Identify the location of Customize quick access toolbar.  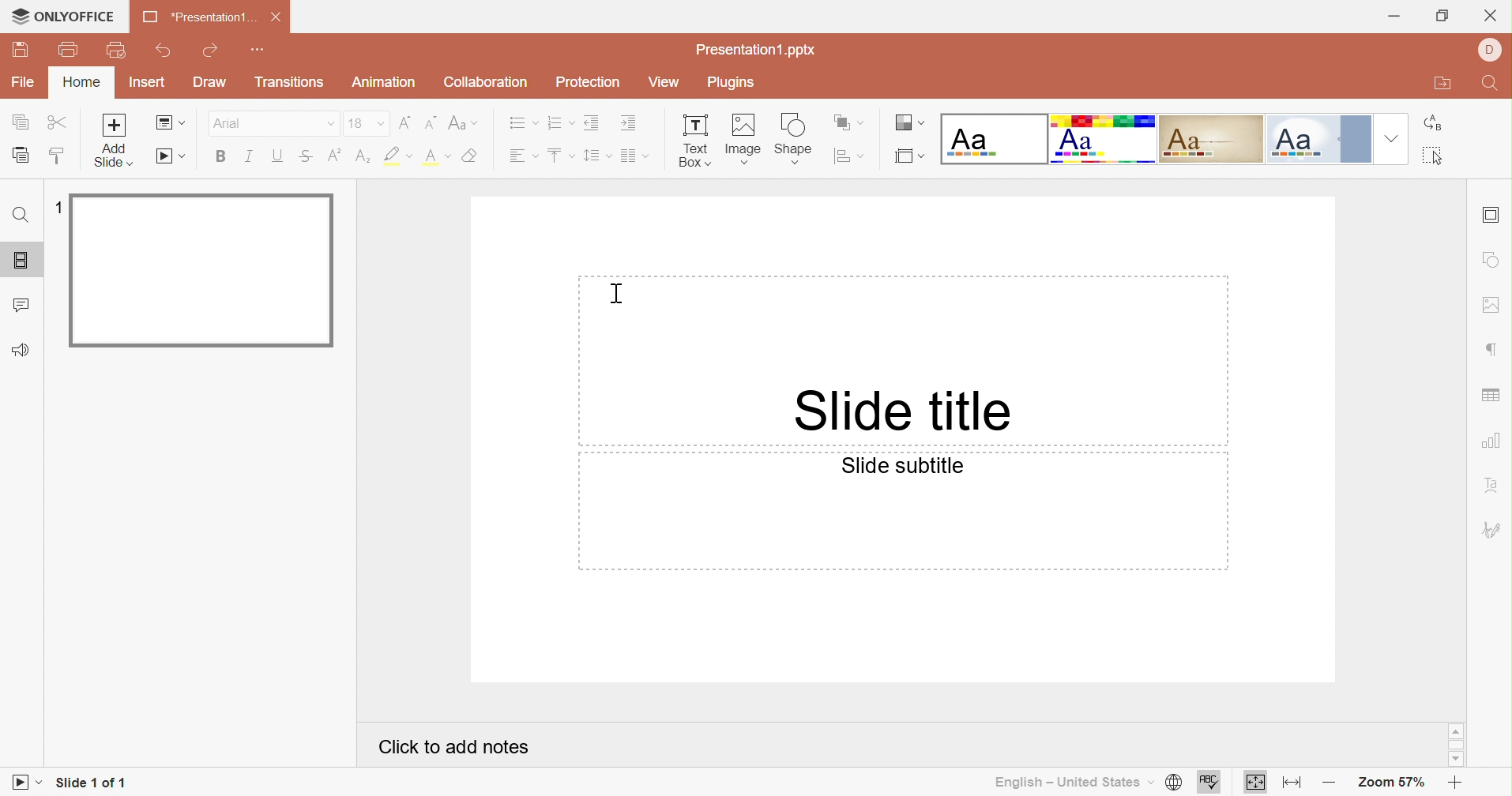
(261, 50).